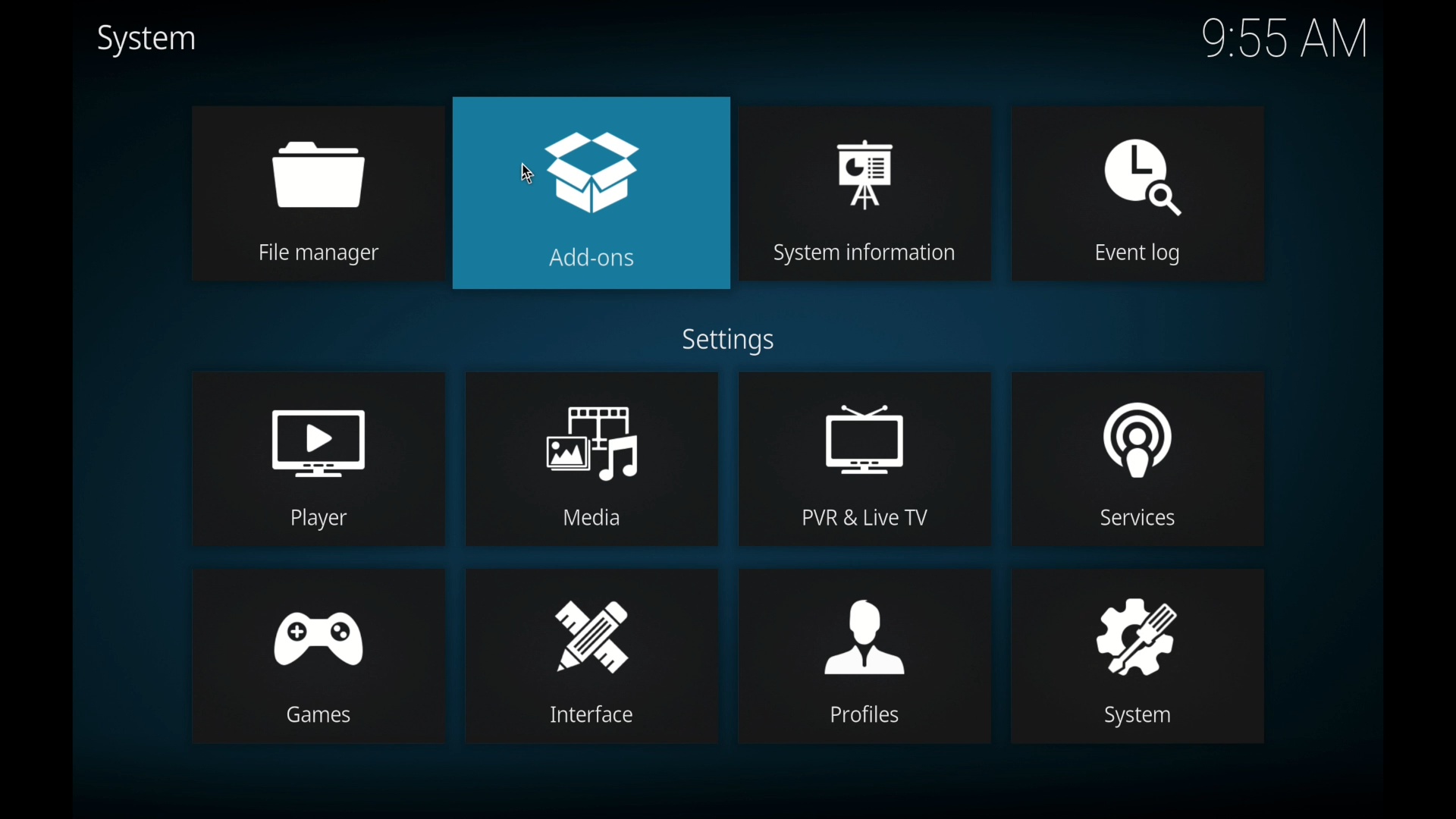 The width and height of the screenshot is (1456, 819). What do you see at coordinates (1141, 194) in the screenshot?
I see `event log` at bounding box center [1141, 194].